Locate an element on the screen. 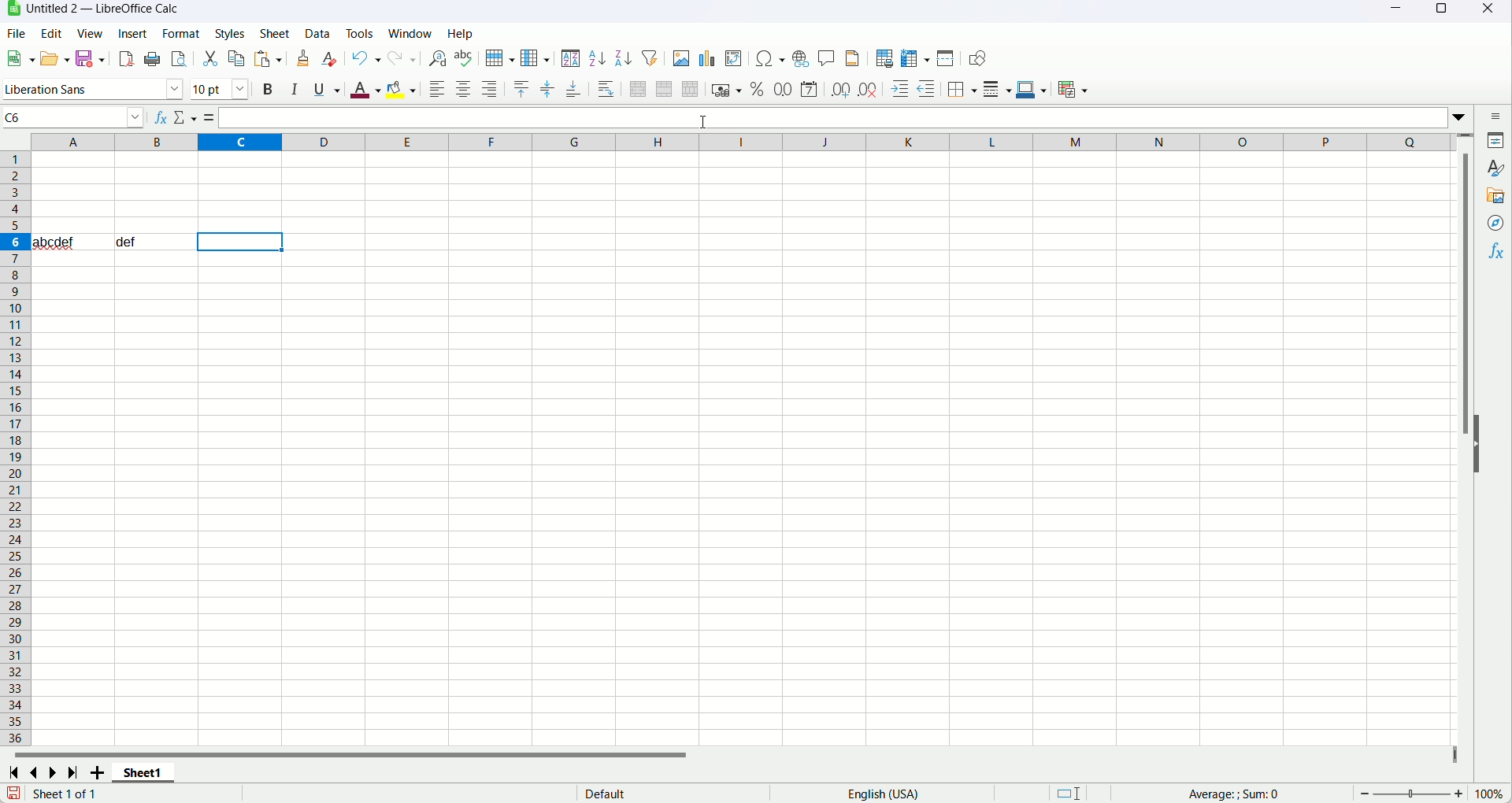  font color is located at coordinates (365, 90).